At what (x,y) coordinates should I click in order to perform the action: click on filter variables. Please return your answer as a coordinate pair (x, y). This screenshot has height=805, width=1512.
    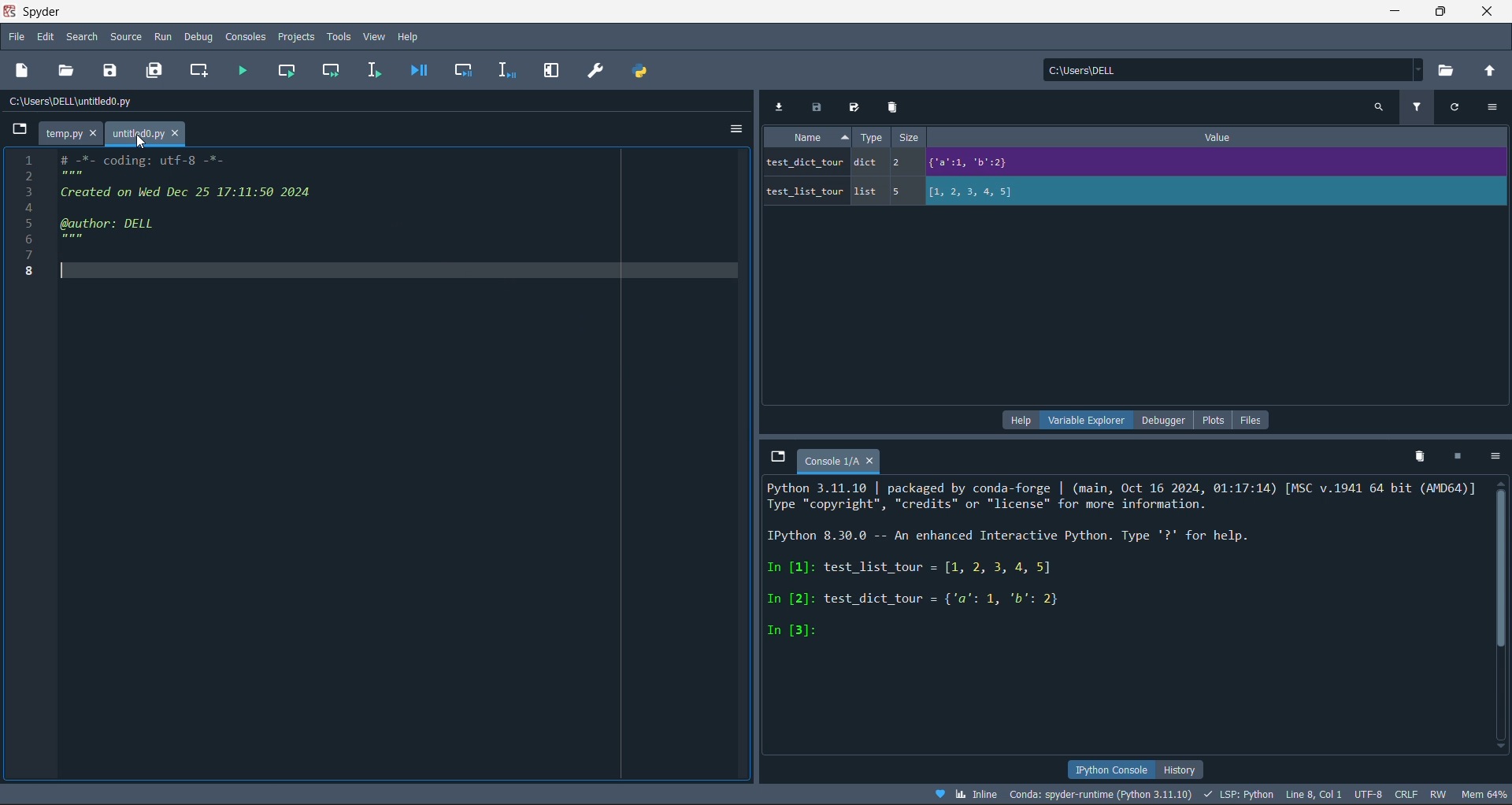
    Looking at the image, I should click on (1414, 108).